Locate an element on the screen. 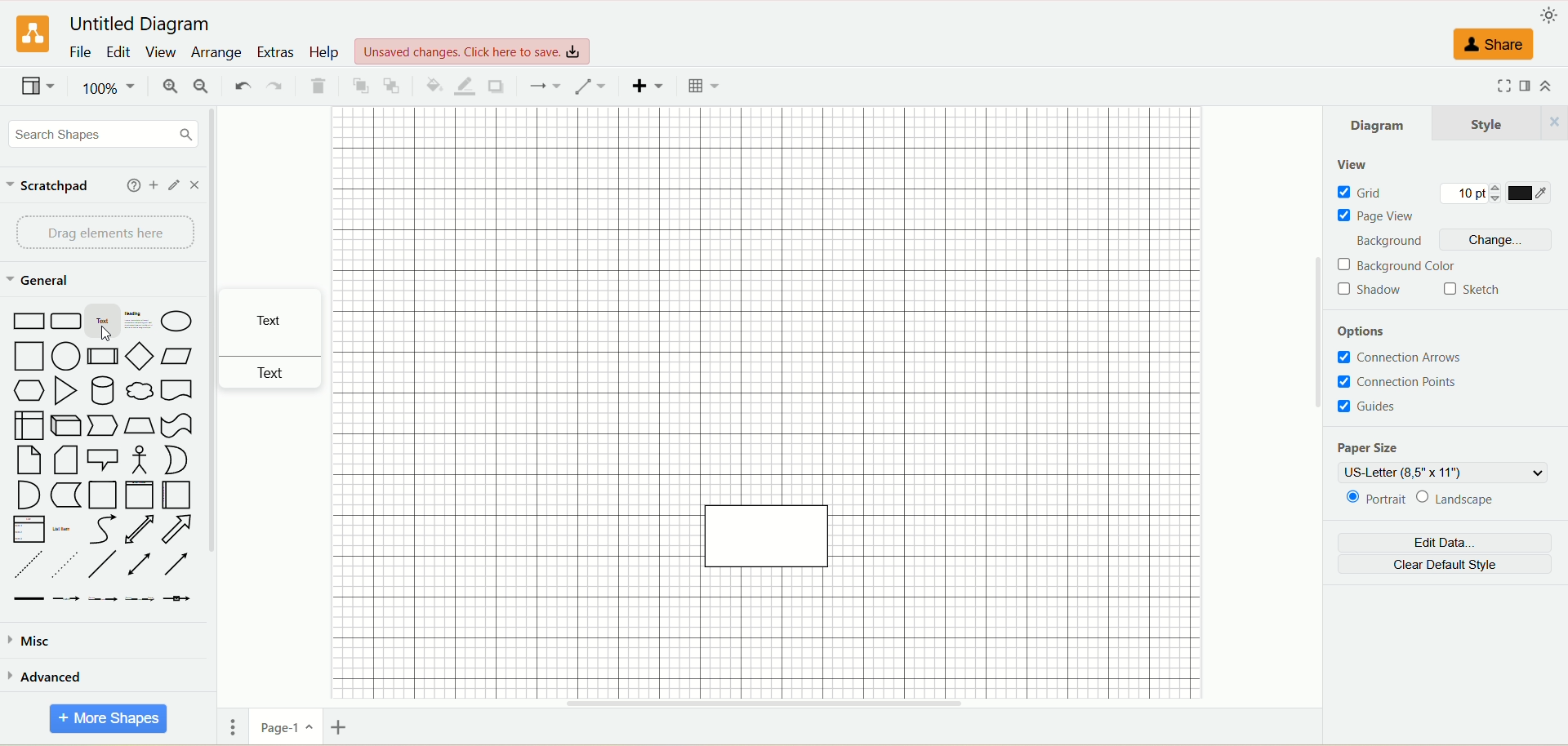 The image size is (1568, 746). connector 5 is located at coordinates (179, 597).